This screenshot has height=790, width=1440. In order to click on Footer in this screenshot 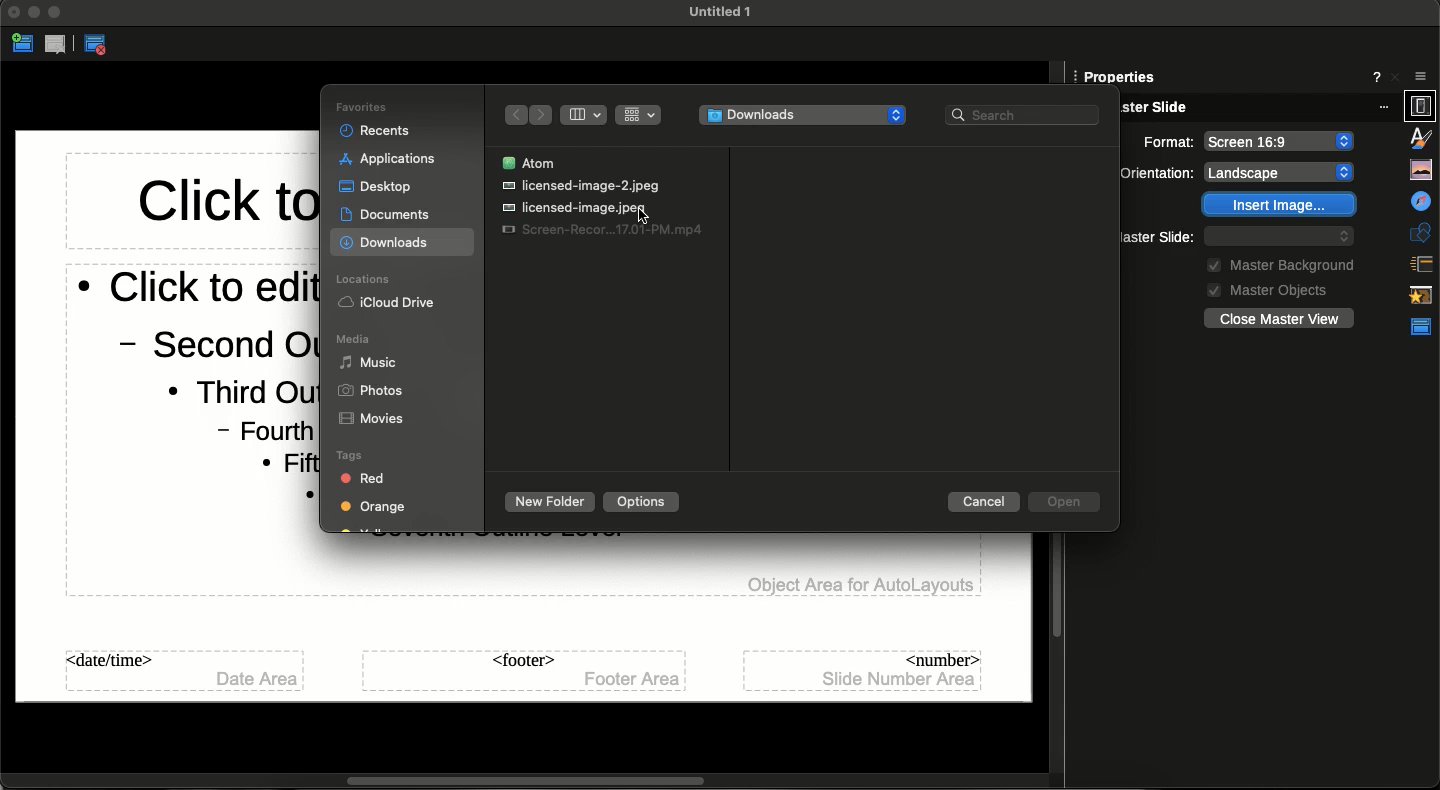, I will do `click(525, 670)`.